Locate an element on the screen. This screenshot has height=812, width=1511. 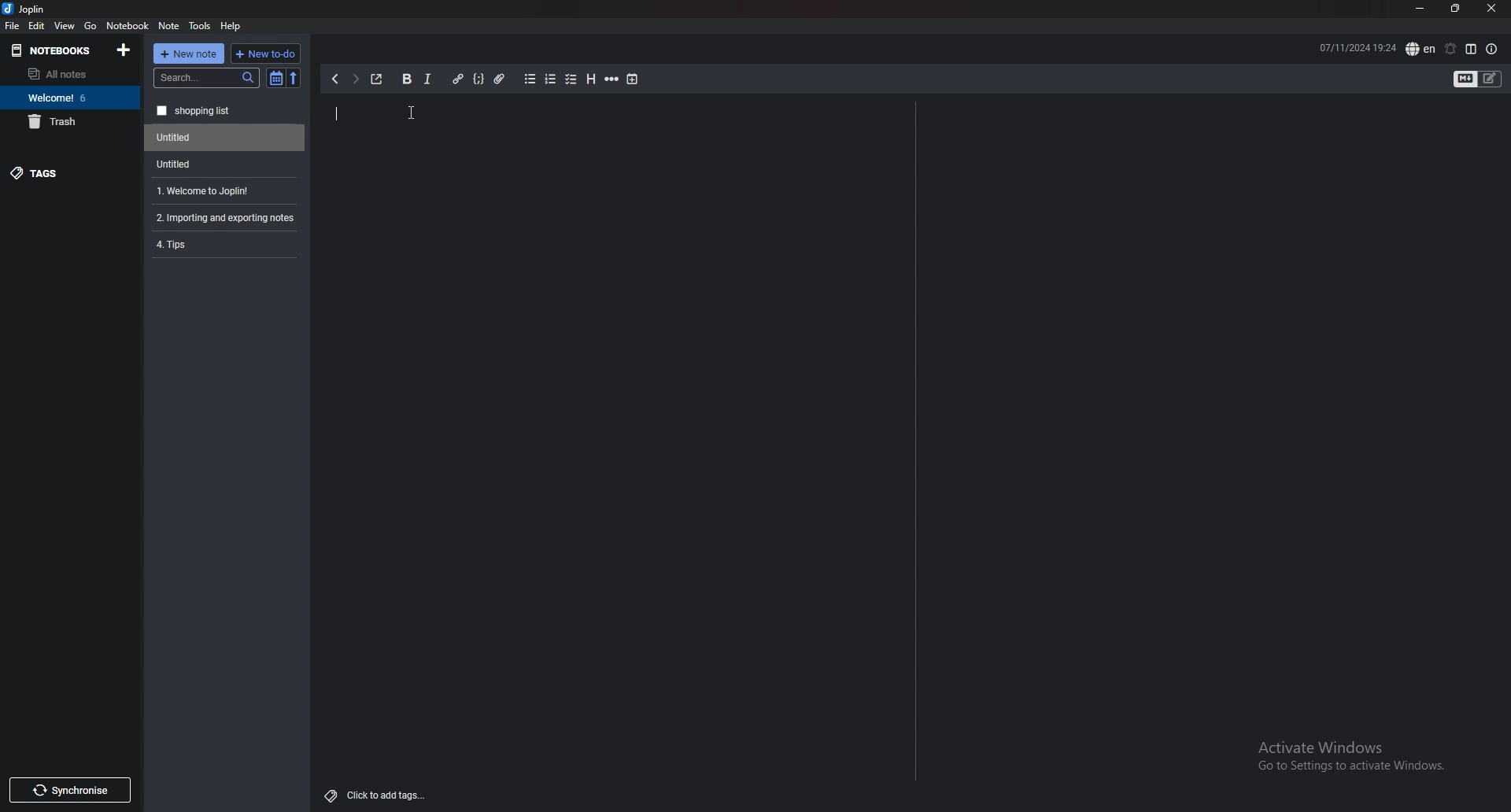
heading is located at coordinates (589, 79).